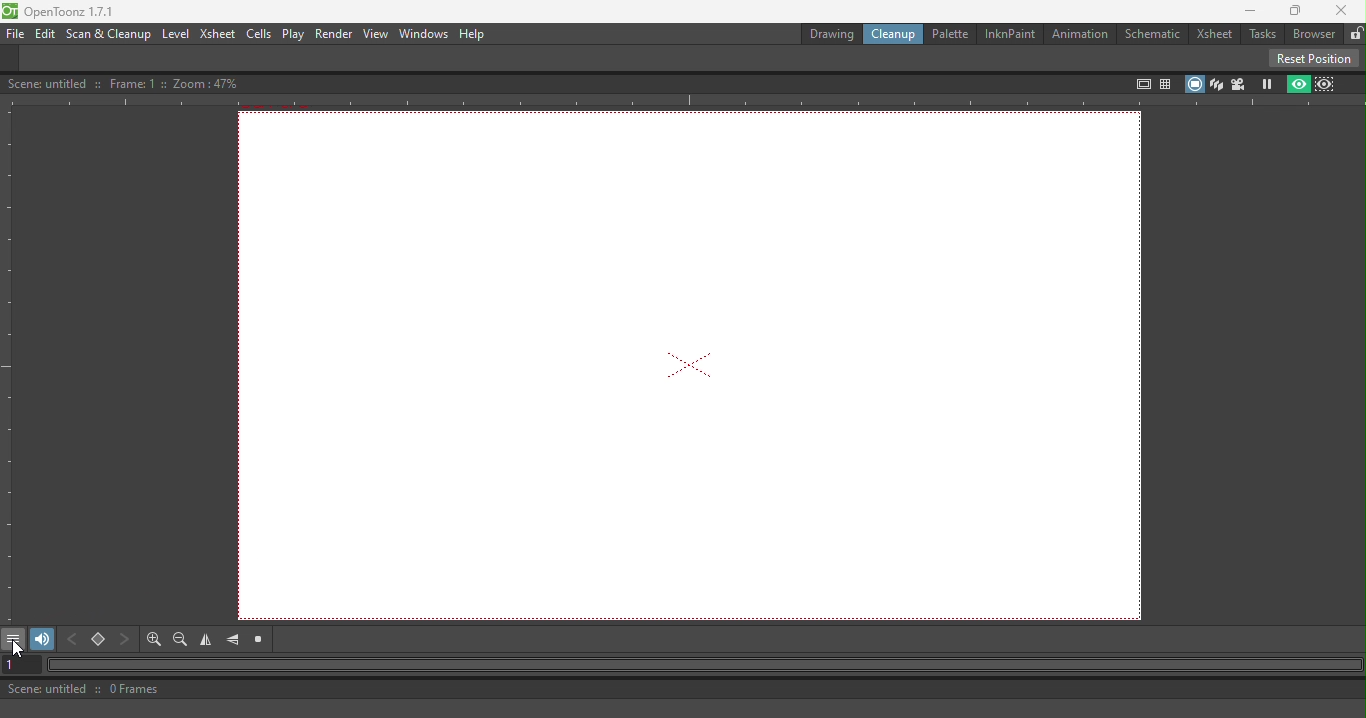  I want to click on Render, so click(331, 33).